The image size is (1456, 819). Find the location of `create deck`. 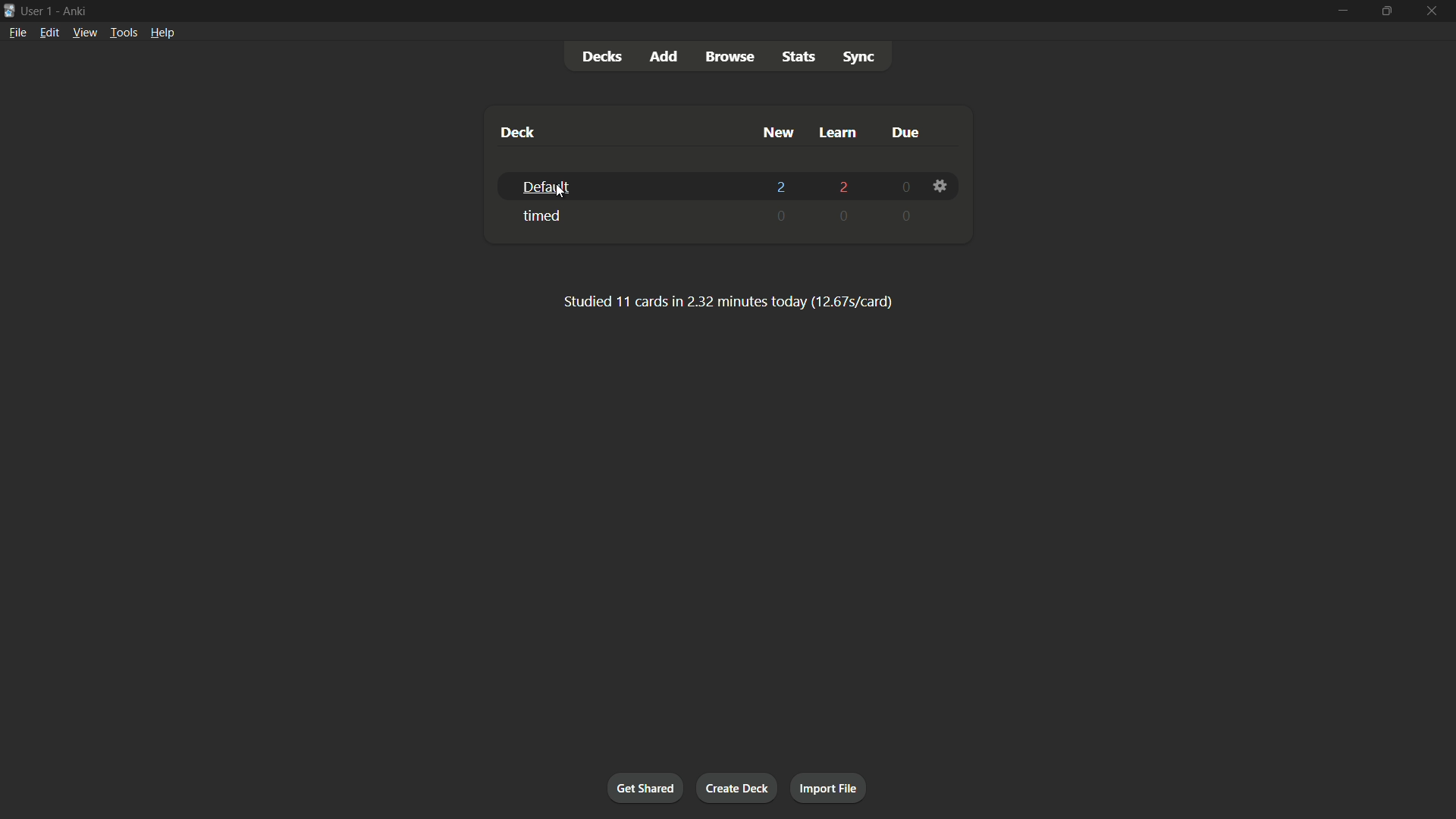

create deck is located at coordinates (738, 786).